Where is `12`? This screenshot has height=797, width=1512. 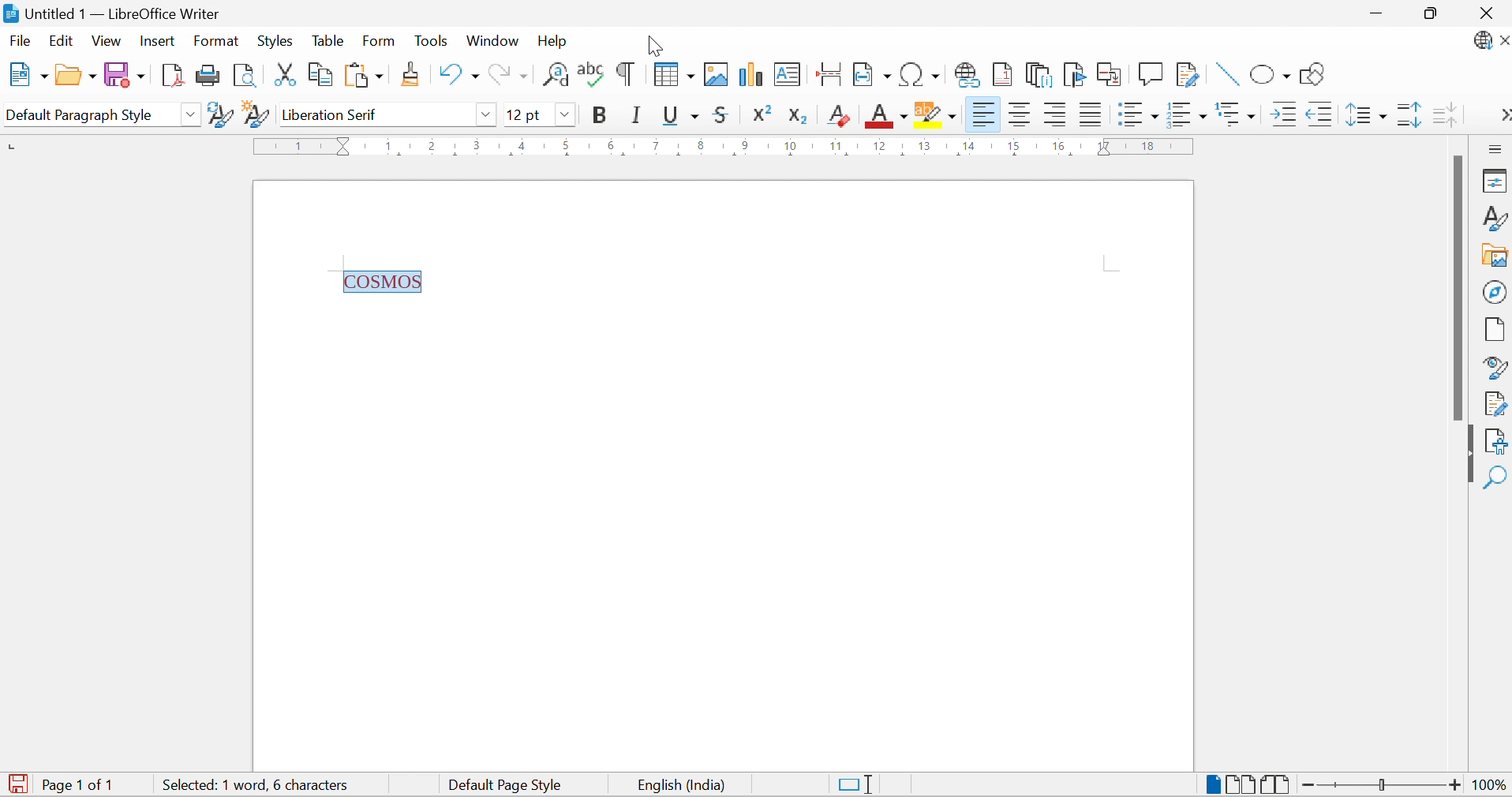
12 is located at coordinates (881, 147).